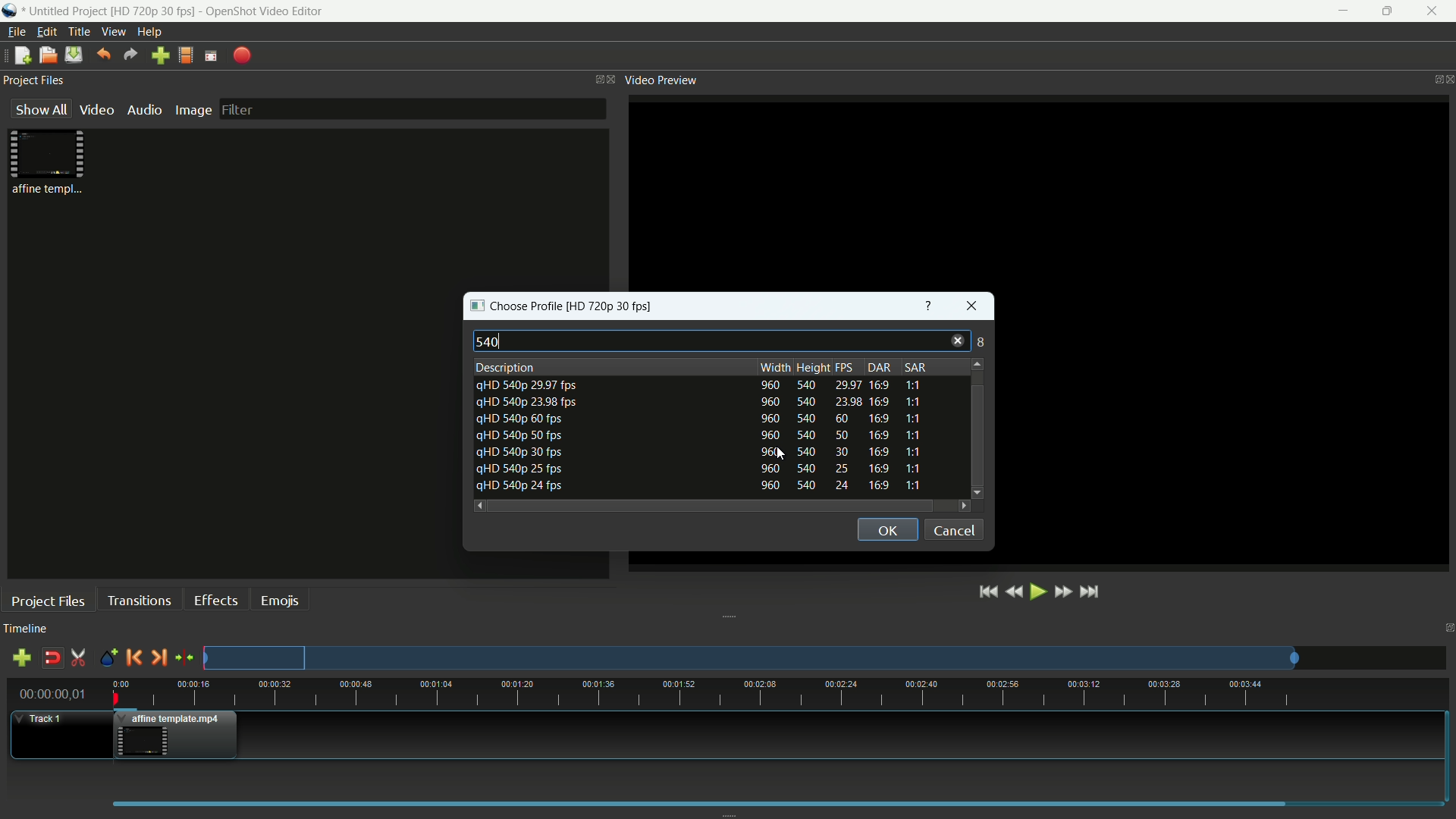  I want to click on view menu, so click(115, 31).